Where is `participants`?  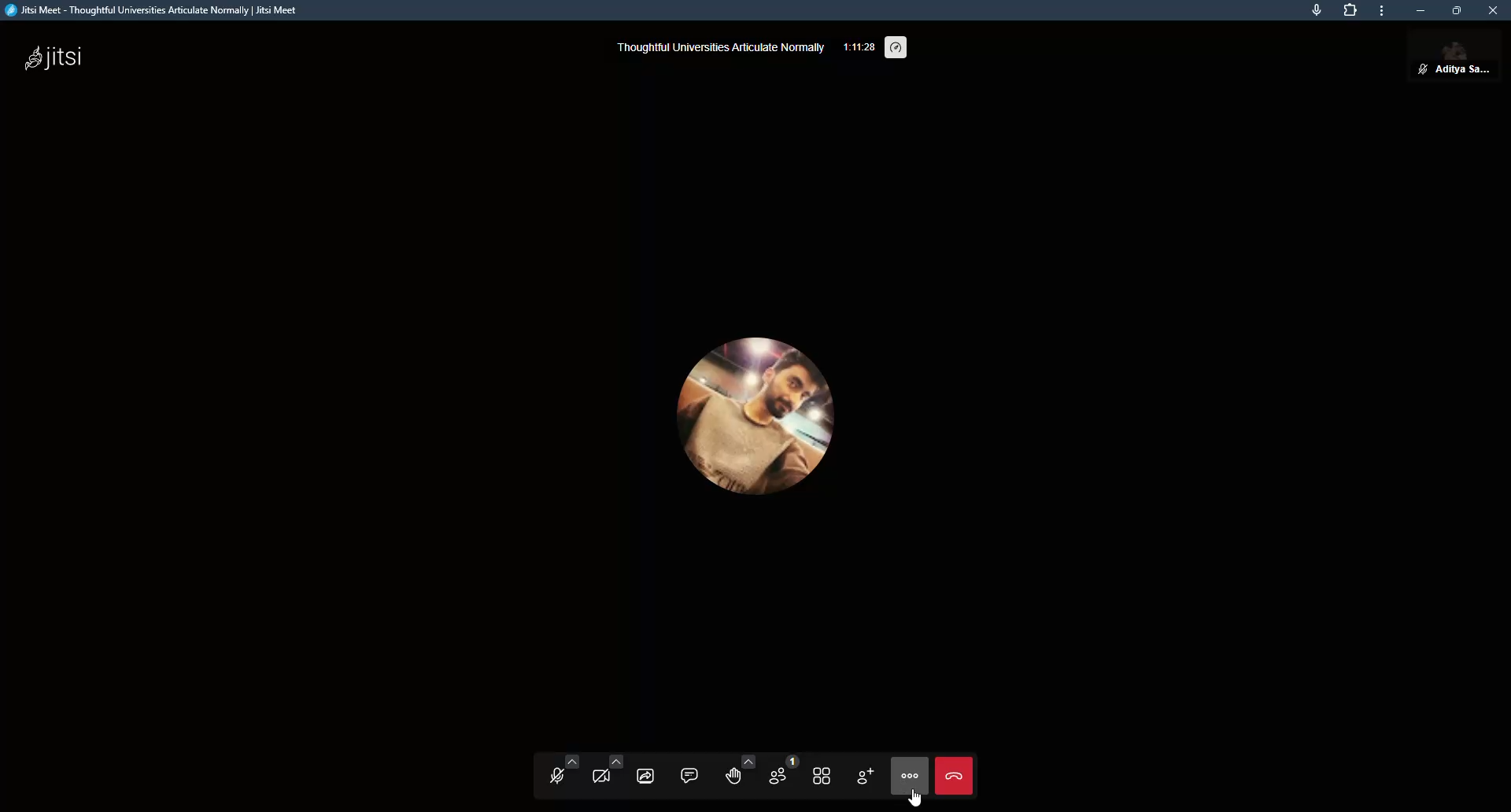
participants is located at coordinates (778, 775).